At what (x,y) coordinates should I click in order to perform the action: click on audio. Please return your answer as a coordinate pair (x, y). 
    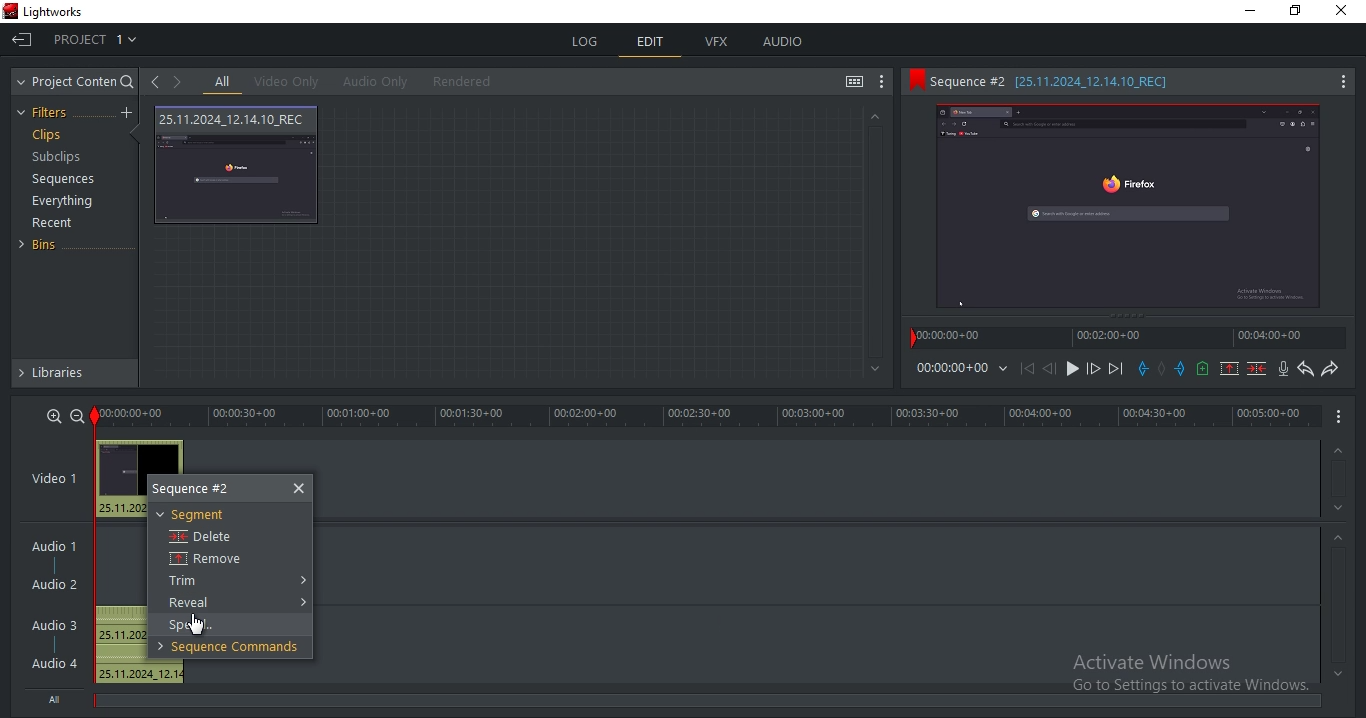
    Looking at the image, I should click on (783, 42).